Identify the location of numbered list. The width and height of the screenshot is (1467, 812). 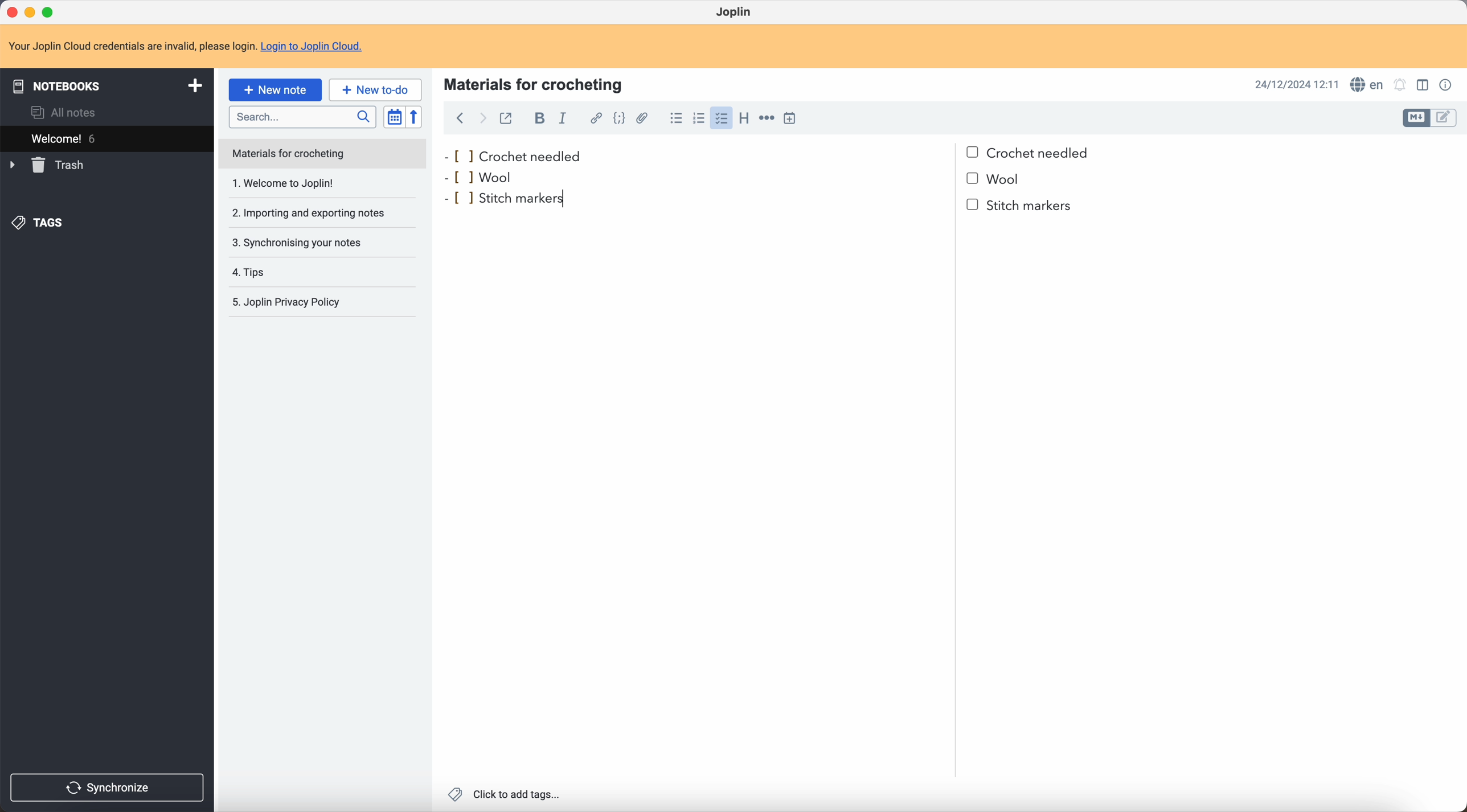
(698, 118).